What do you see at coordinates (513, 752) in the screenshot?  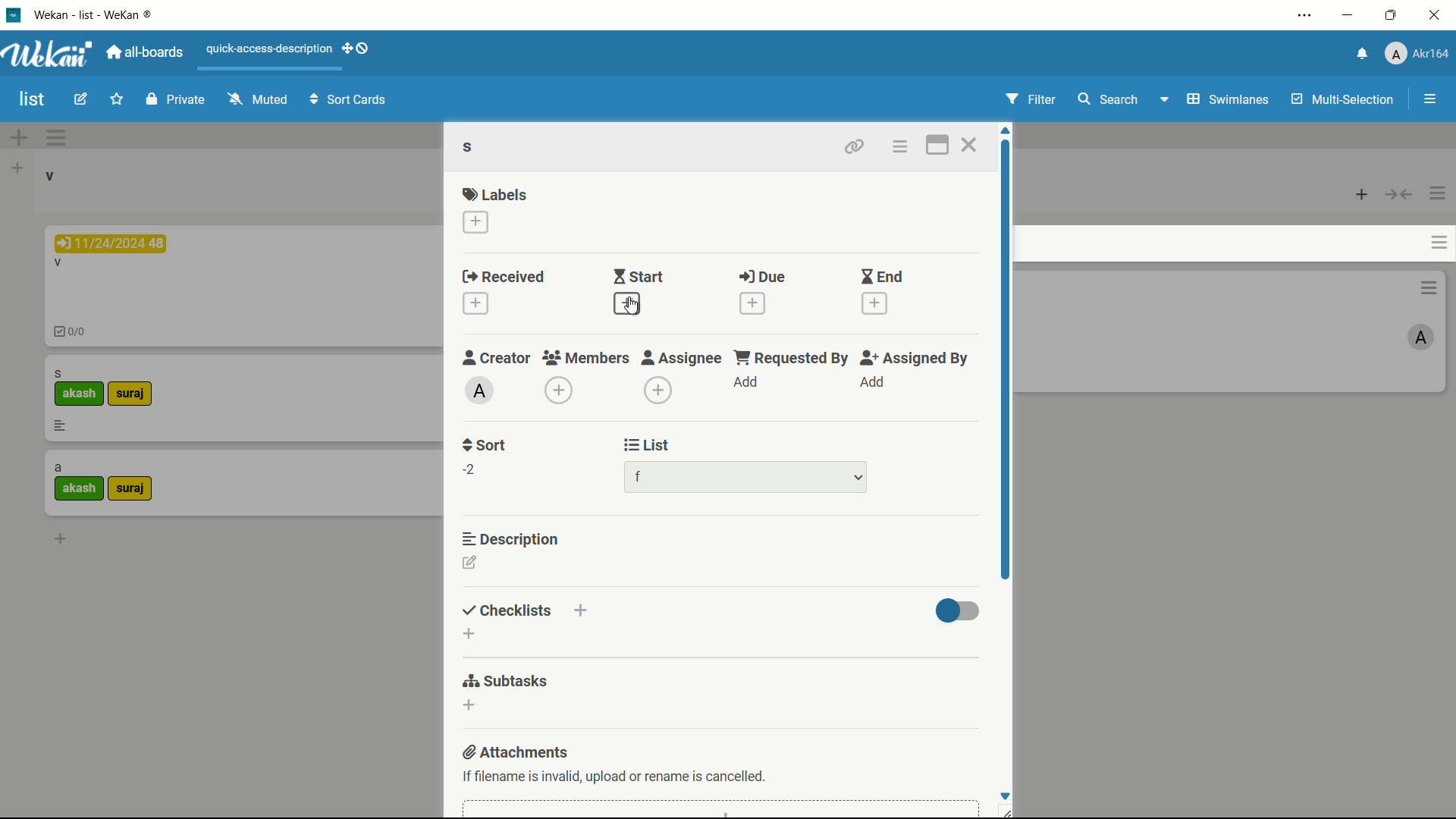 I see `attachments` at bounding box center [513, 752].